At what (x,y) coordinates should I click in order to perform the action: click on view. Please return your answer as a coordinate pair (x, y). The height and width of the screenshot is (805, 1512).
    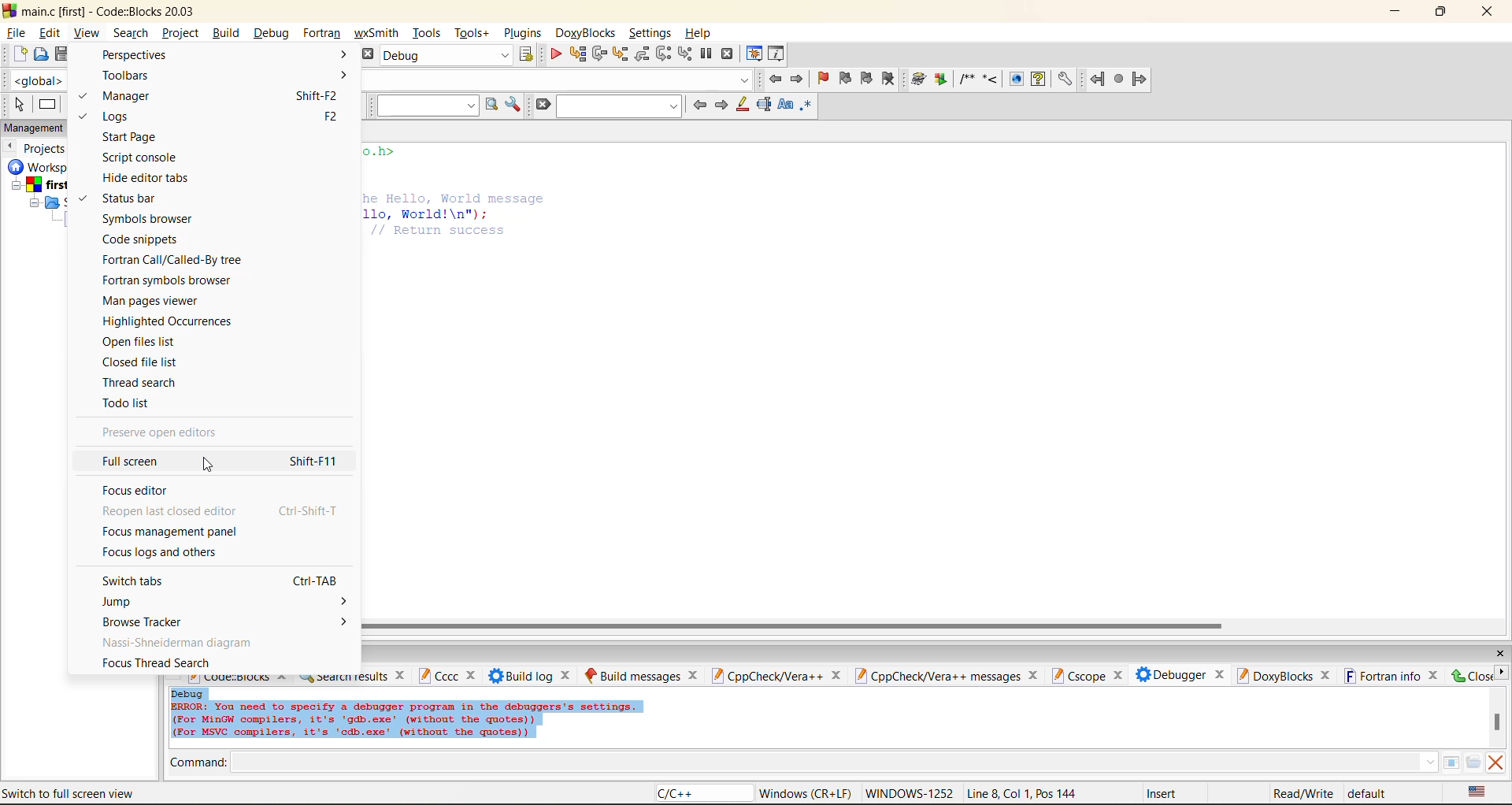
    Looking at the image, I should click on (85, 32).